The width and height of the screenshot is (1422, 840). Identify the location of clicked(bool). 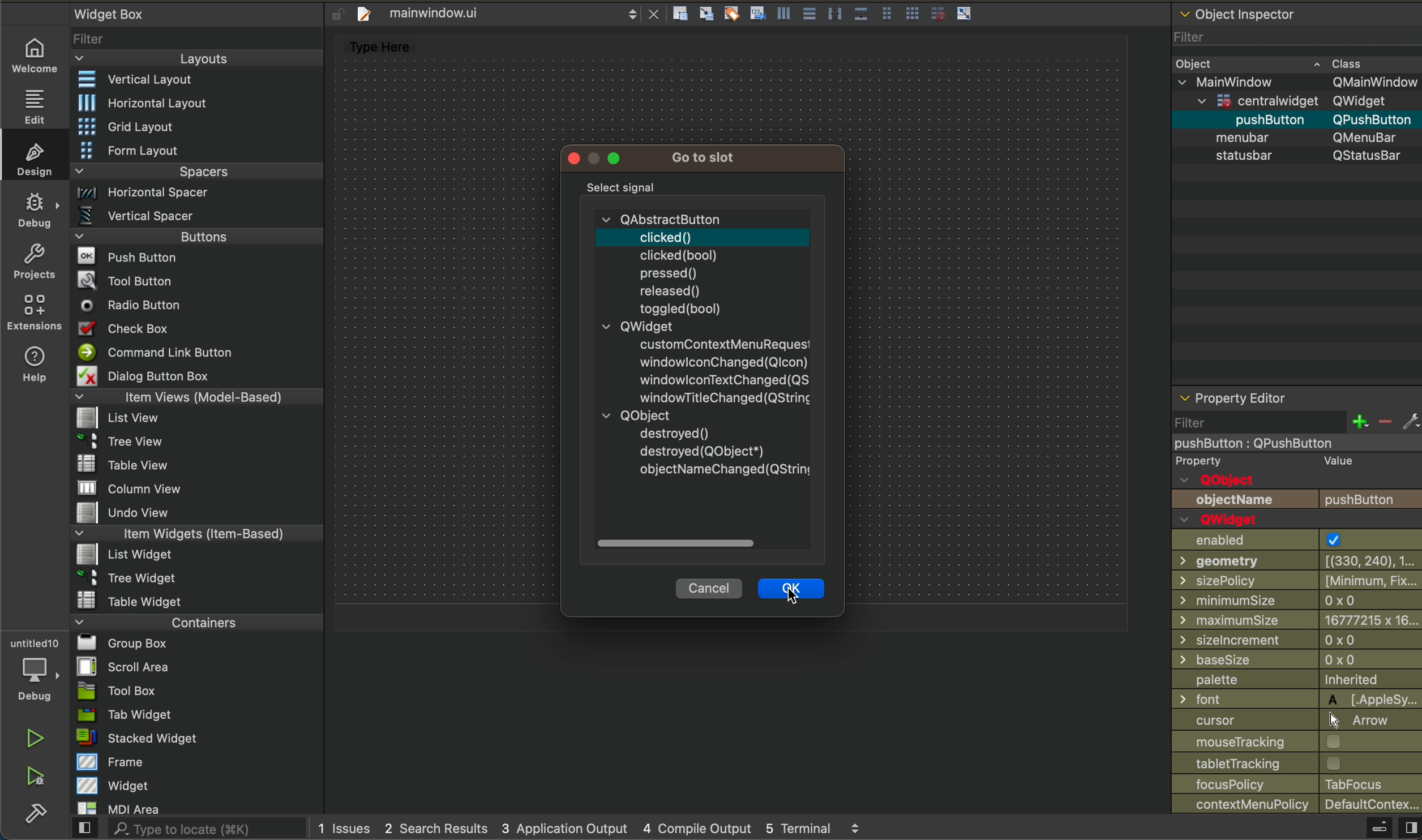
(679, 254).